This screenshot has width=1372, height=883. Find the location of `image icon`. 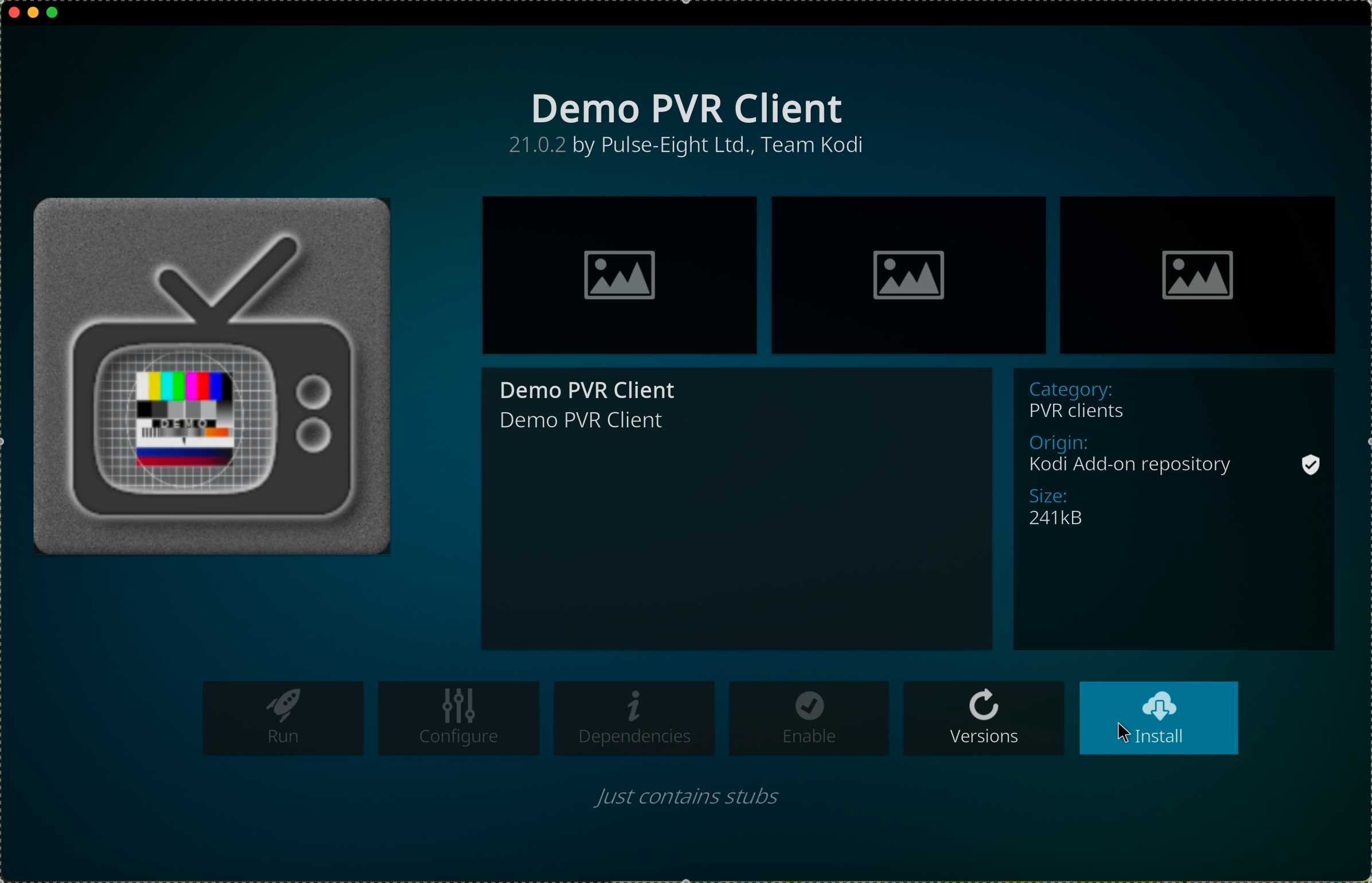

image icon is located at coordinates (618, 275).